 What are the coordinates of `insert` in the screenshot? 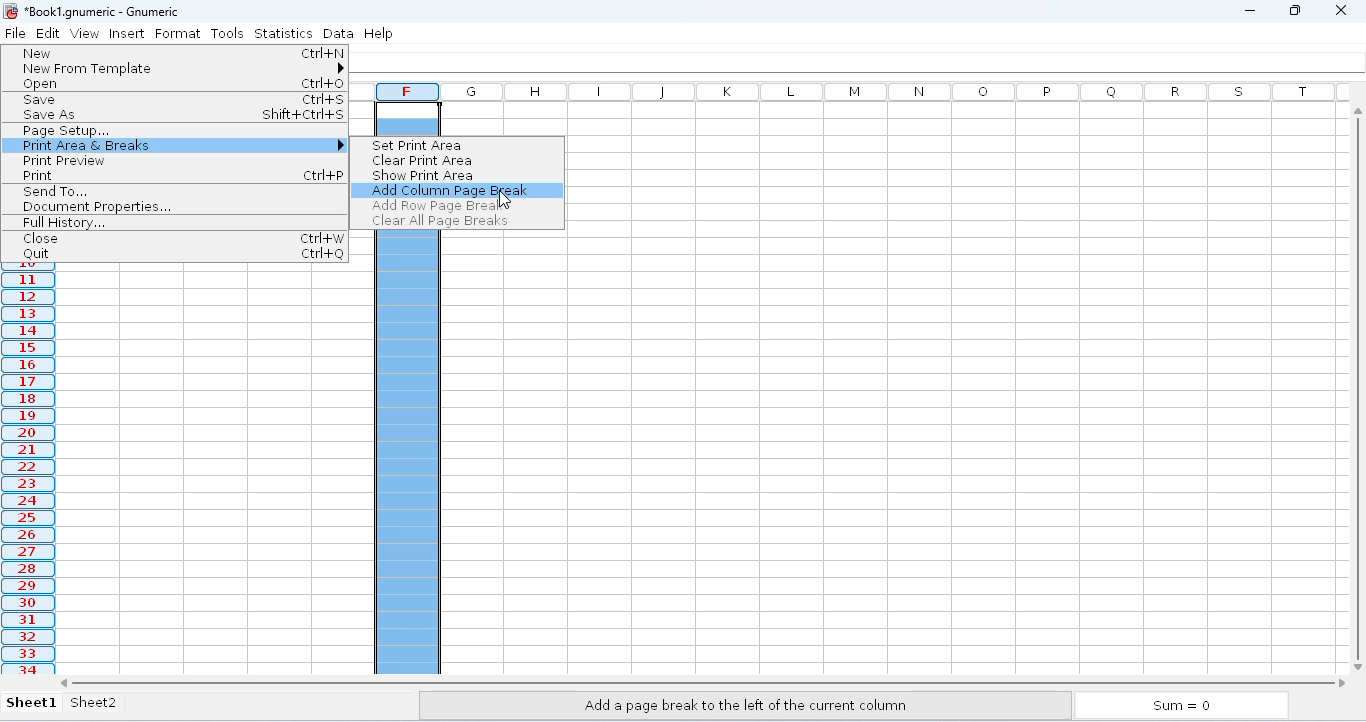 It's located at (127, 34).